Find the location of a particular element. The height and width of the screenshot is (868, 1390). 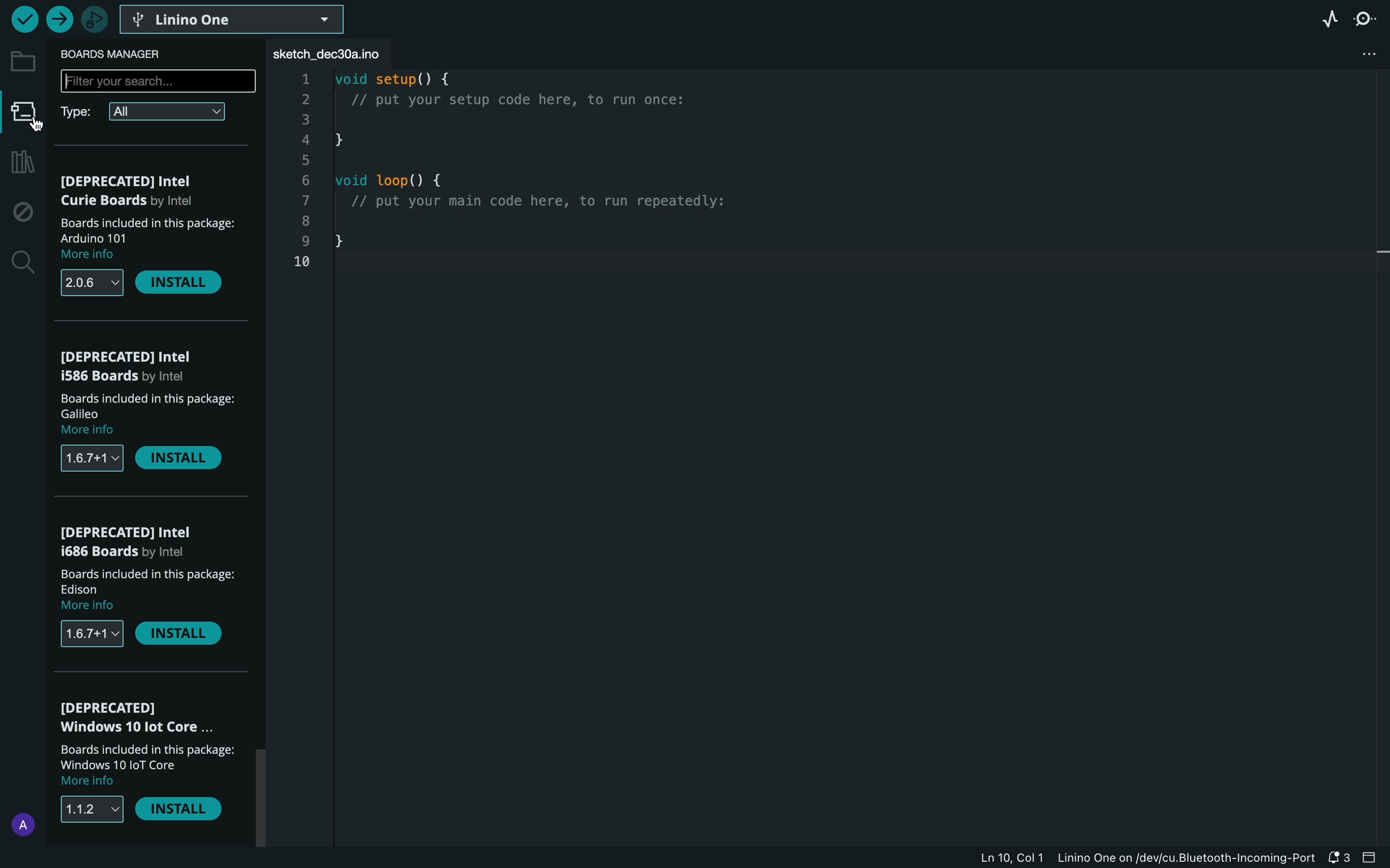

install is located at coordinates (177, 808).